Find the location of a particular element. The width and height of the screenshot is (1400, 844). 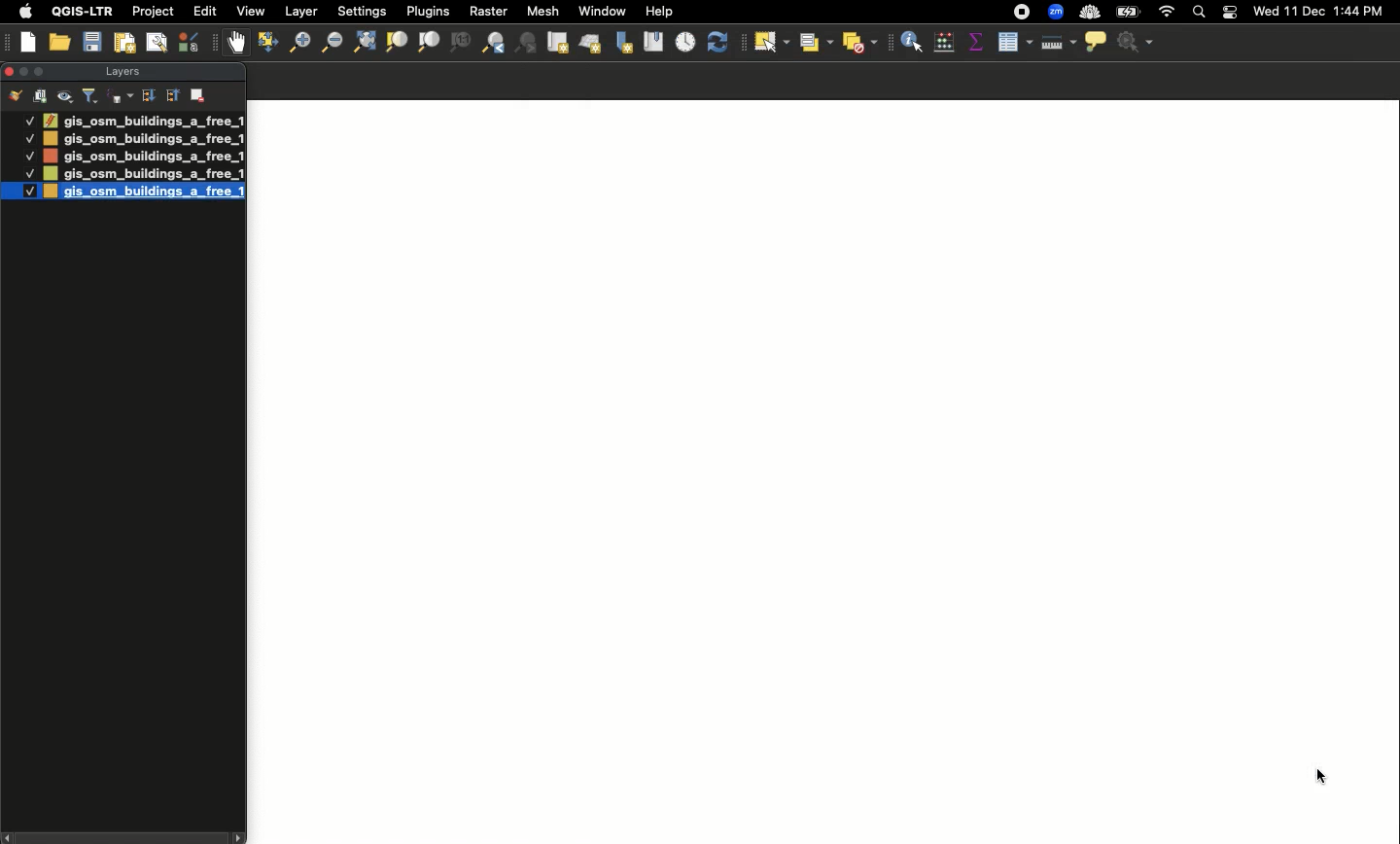

Show spatial bookmarks is located at coordinates (653, 40).